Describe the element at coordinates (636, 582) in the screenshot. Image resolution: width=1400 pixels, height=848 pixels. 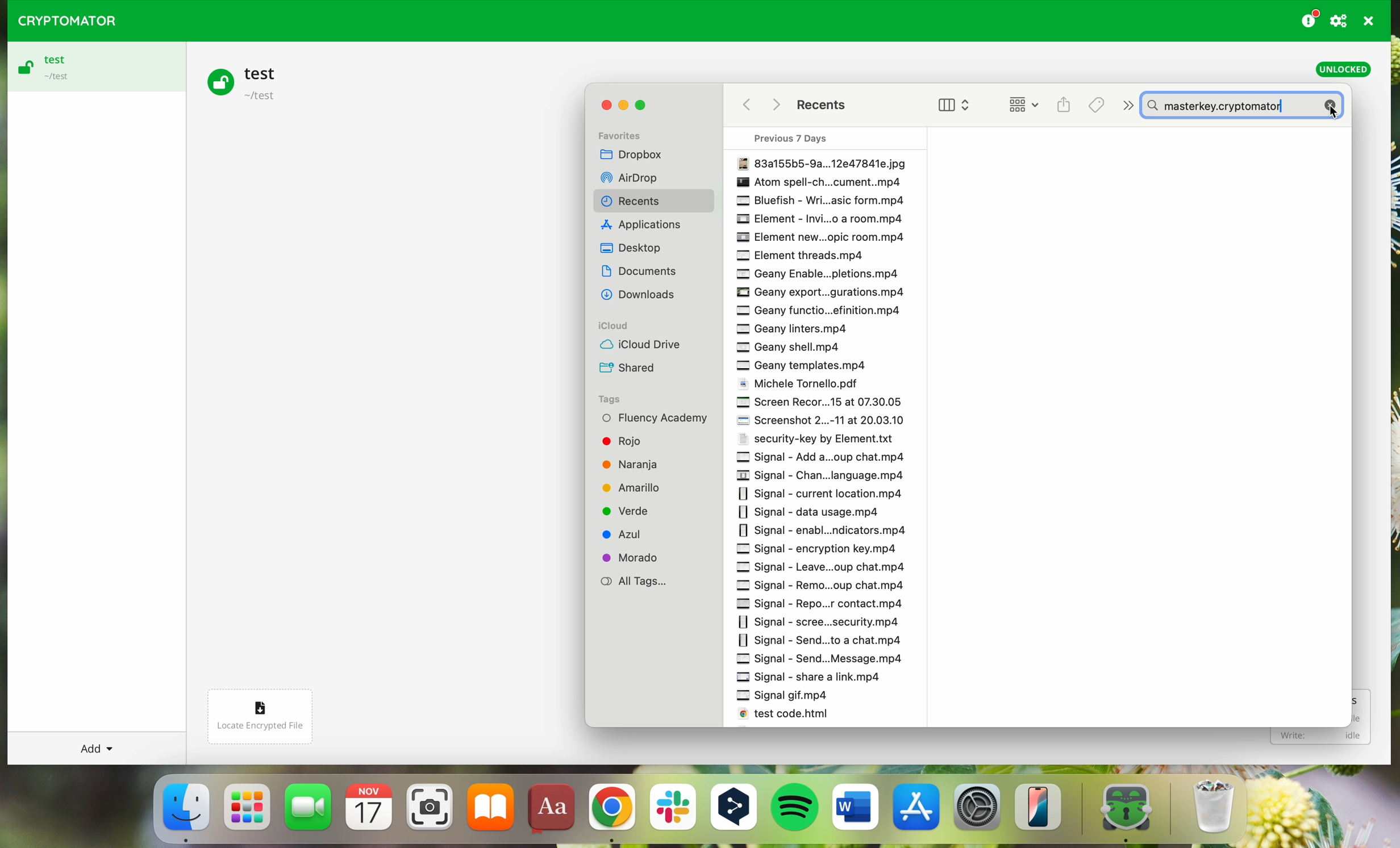
I see `All Tags` at that location.